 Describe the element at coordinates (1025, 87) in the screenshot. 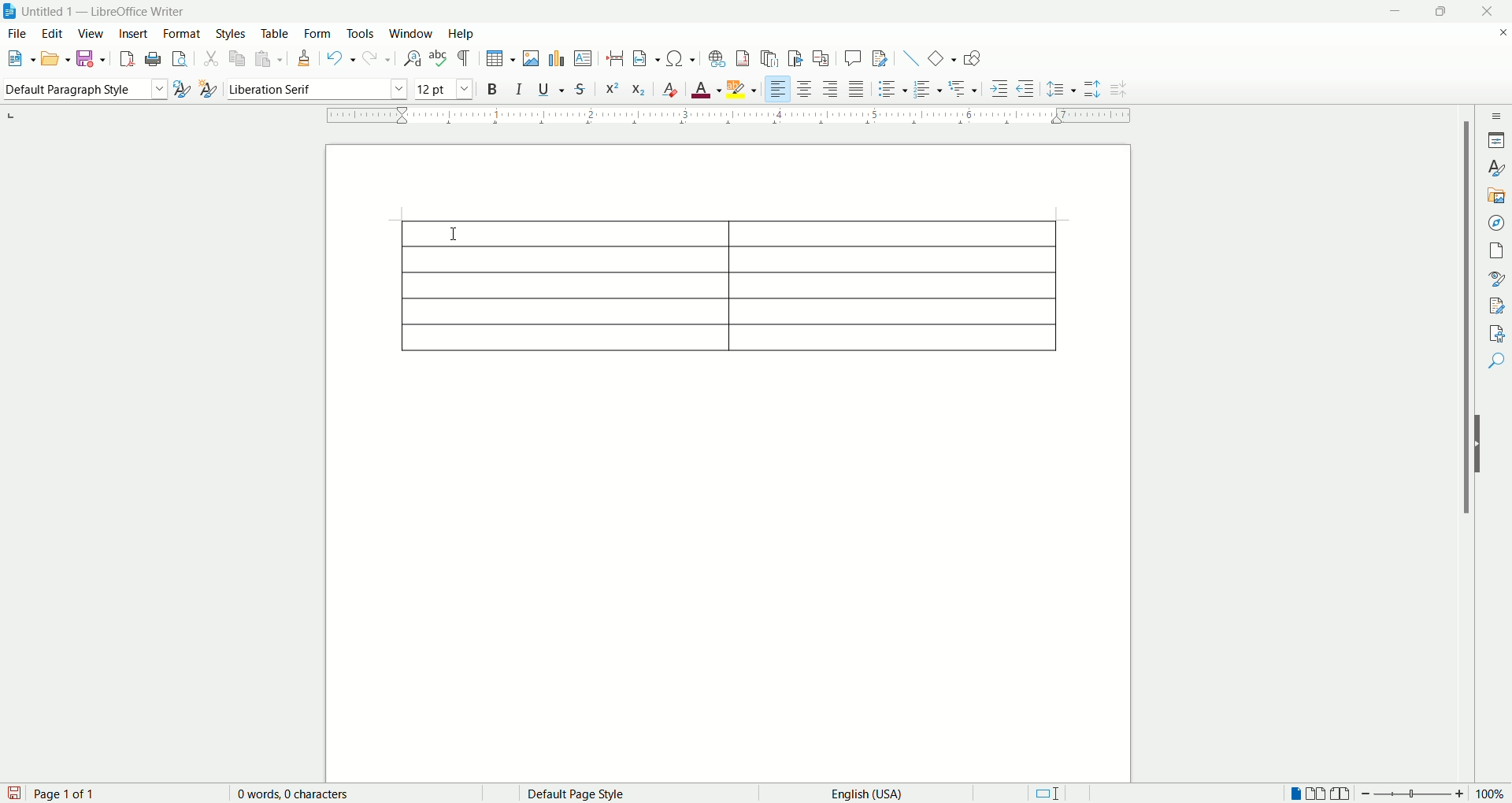

I see `decrease indent` at that location.